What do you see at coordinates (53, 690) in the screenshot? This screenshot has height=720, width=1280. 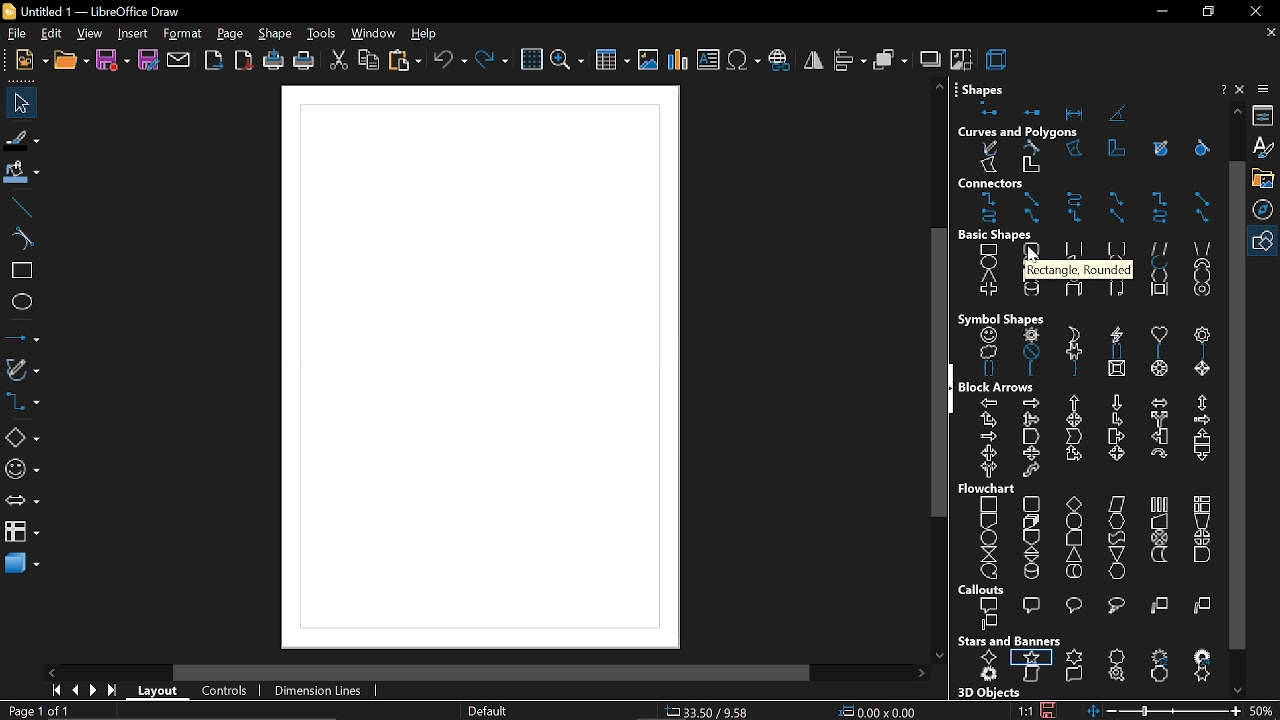 I see `go to first page` at bounding box center [53, 690].